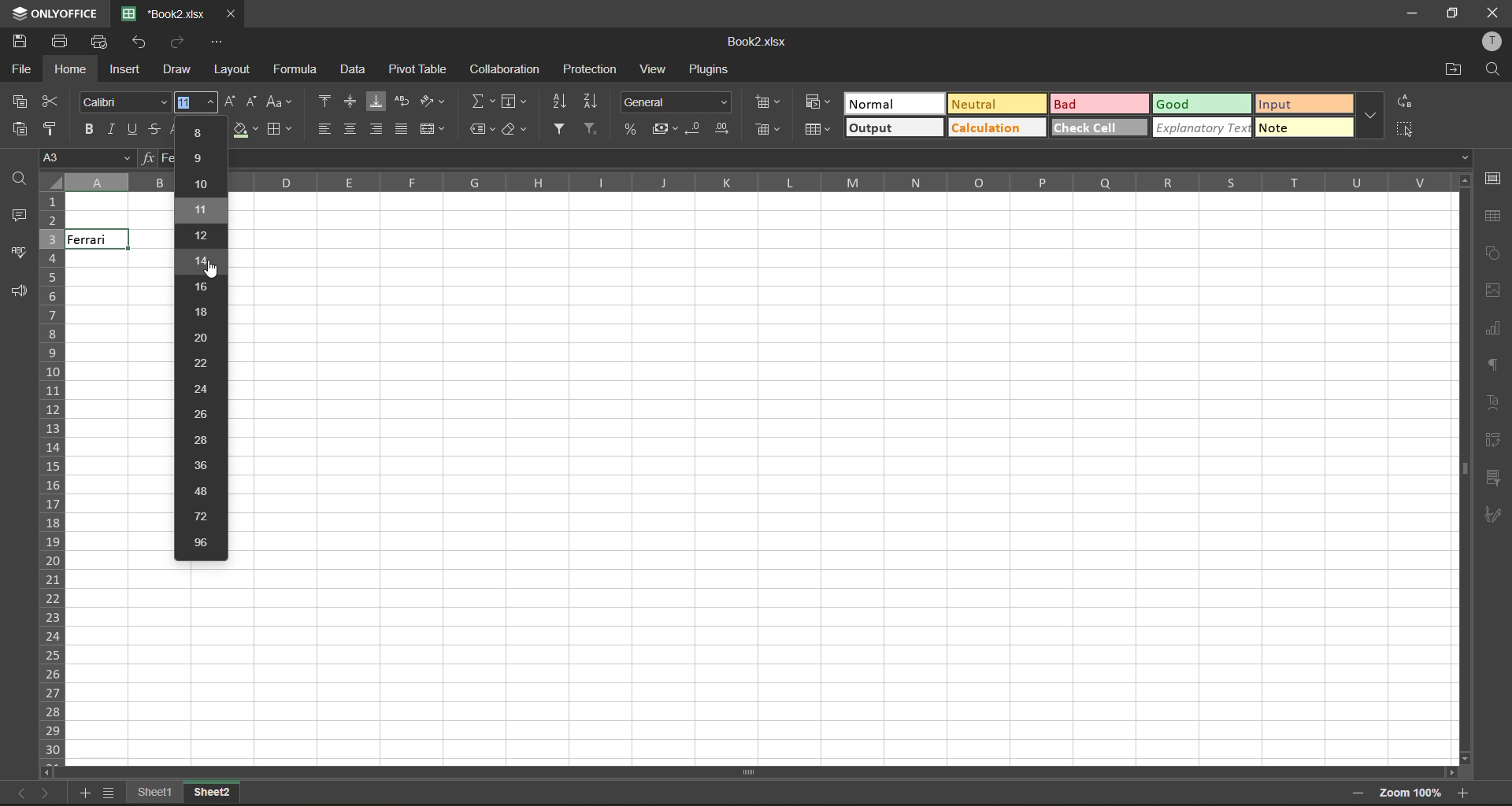  Describe the element at coordinates (177, 70) in the screenshot. I see `draw` at that location.